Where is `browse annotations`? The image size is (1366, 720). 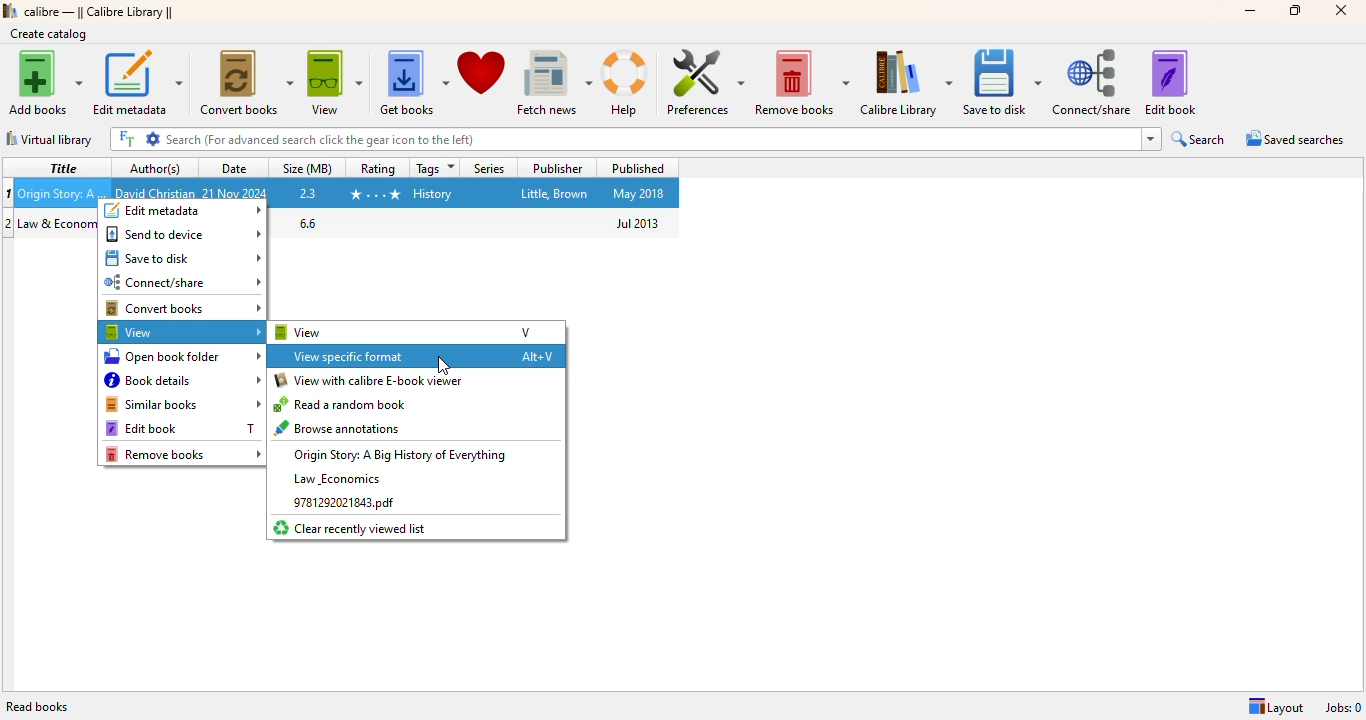 browse annotations is located at coordinates (340, 427).